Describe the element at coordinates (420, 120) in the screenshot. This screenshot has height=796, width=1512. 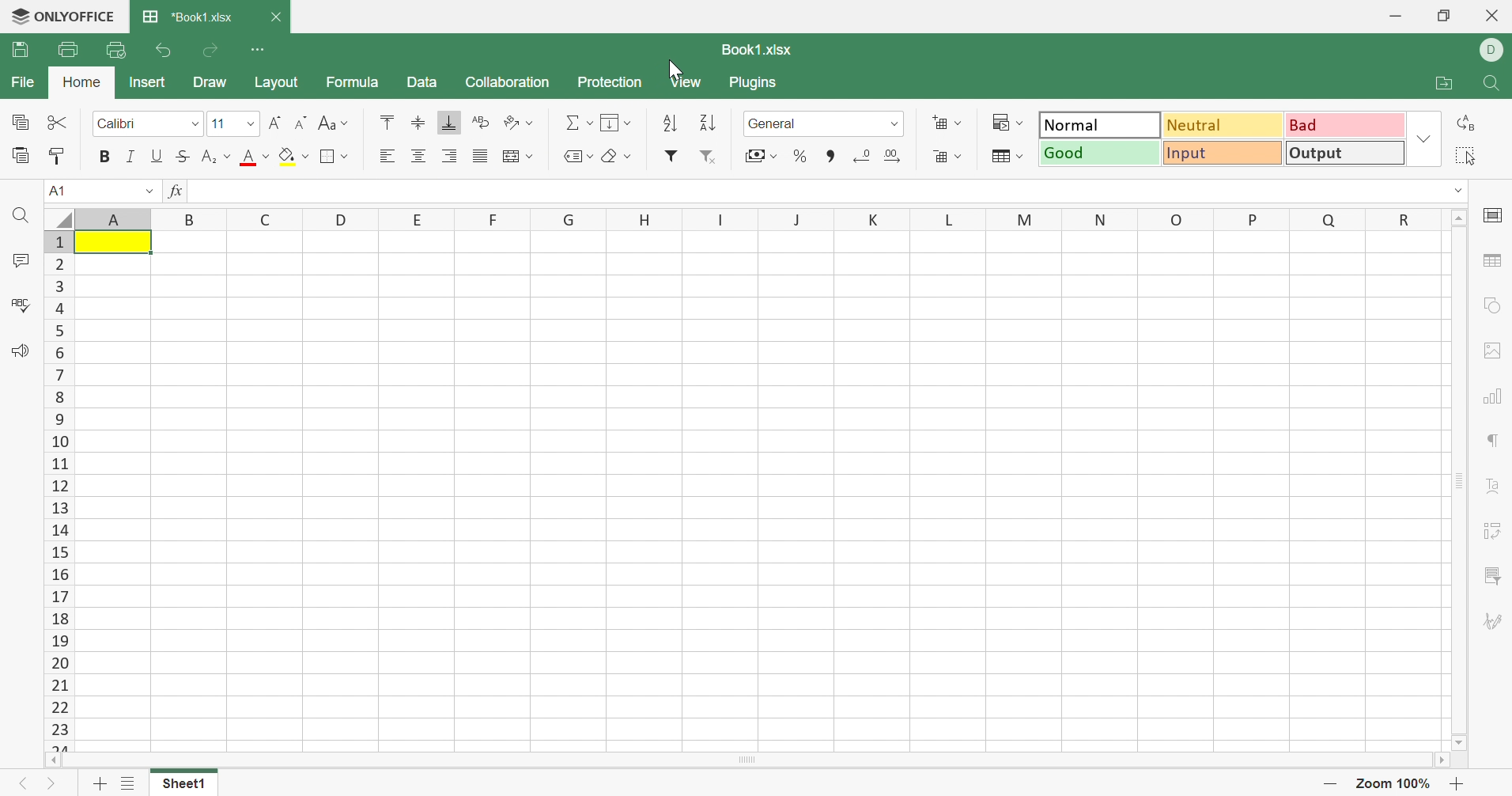
I see `Align Middle` at that location.